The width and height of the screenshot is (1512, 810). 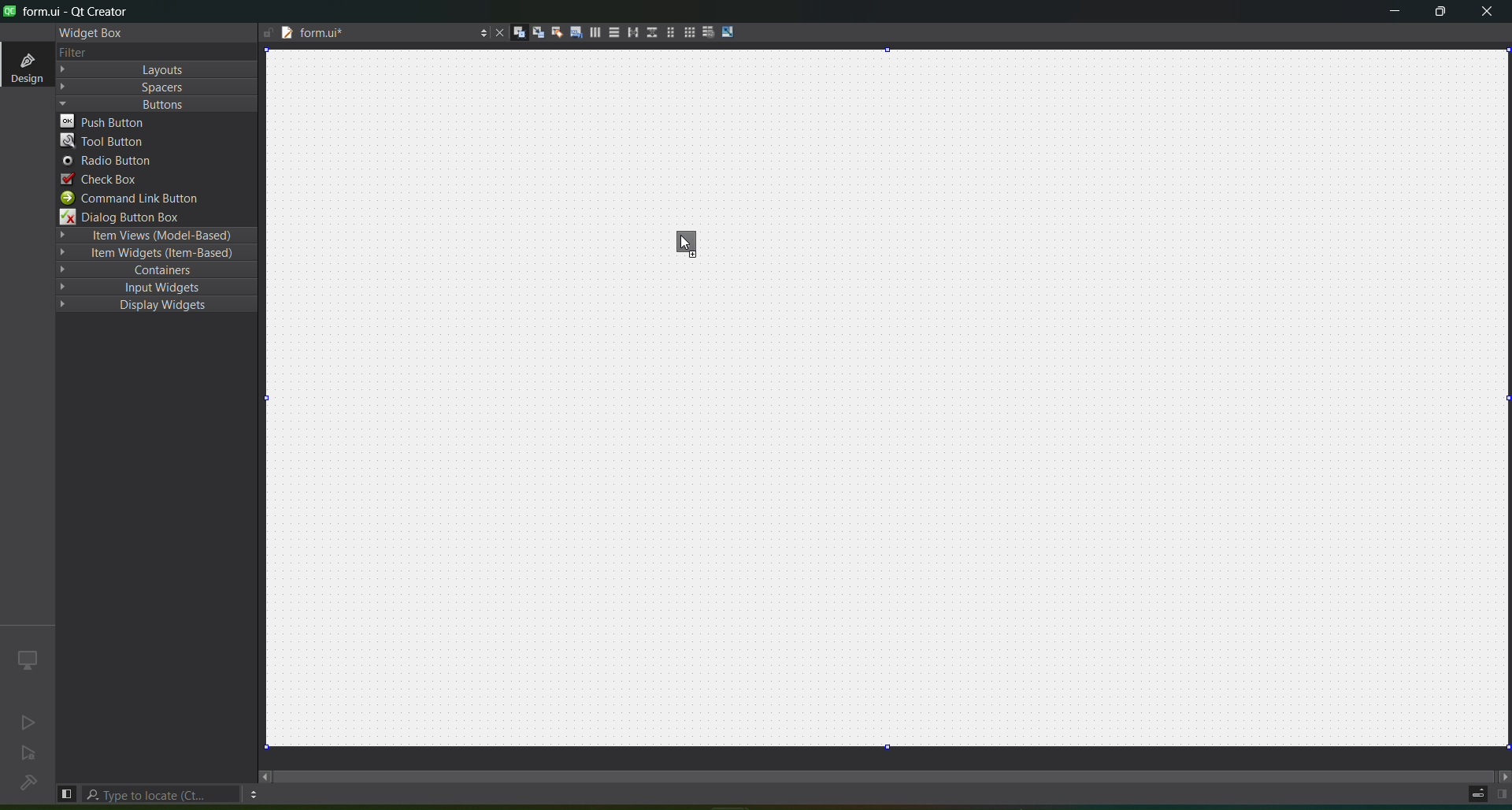 What do you see at coordinates (650, 33) in the screenshot?
I see `layout vertical splitter` at bounding box center [650, 33].